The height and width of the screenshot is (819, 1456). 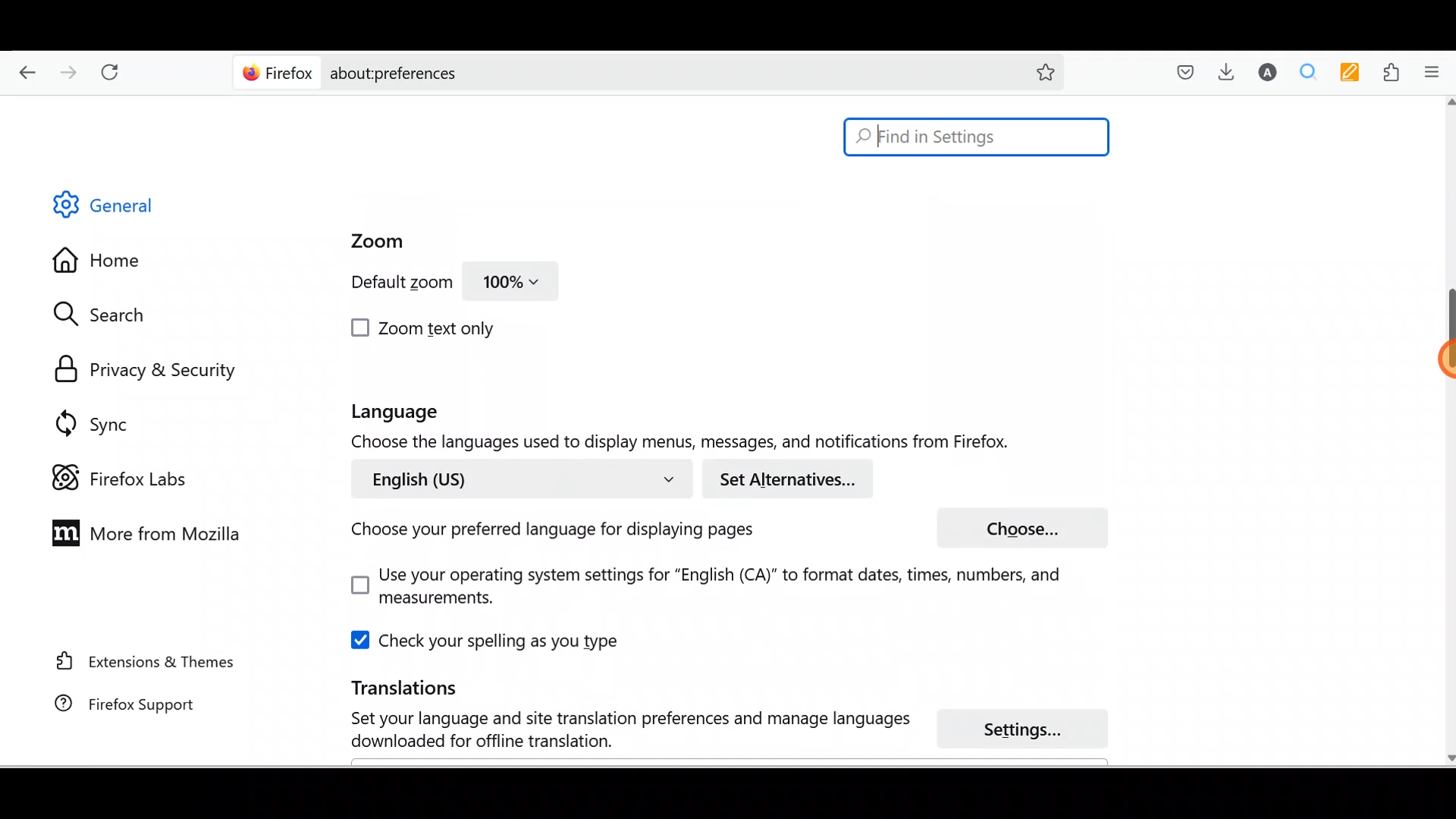 What do you see at coordinates (1309, 71) in the screenshot?
I see `Multiple search & highlight` at bounding box center [1309, 71].